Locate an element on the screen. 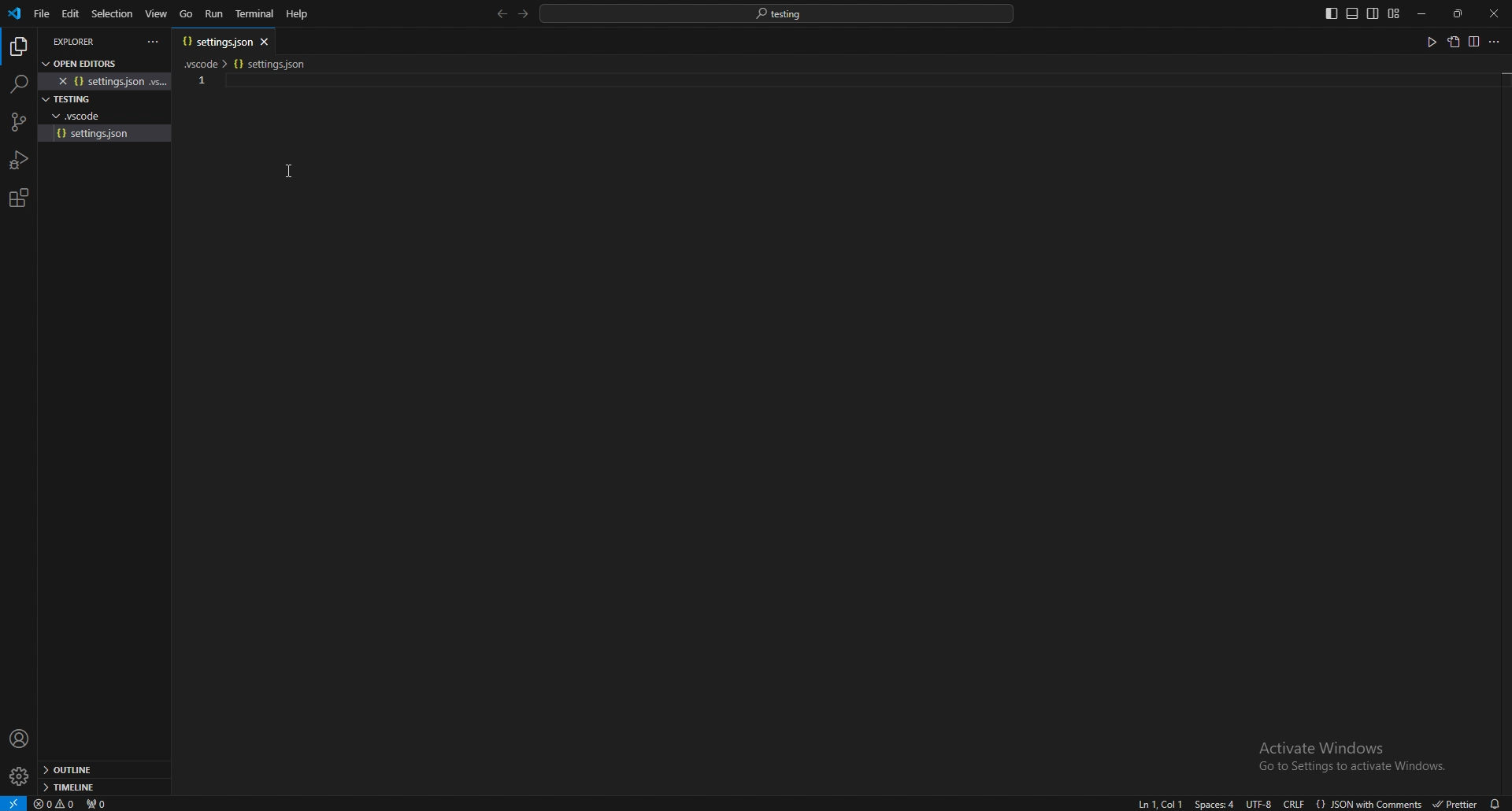 Image resolution: width=1512 pixels, height=811 pixels. space is located at coordinates (1216, 804).